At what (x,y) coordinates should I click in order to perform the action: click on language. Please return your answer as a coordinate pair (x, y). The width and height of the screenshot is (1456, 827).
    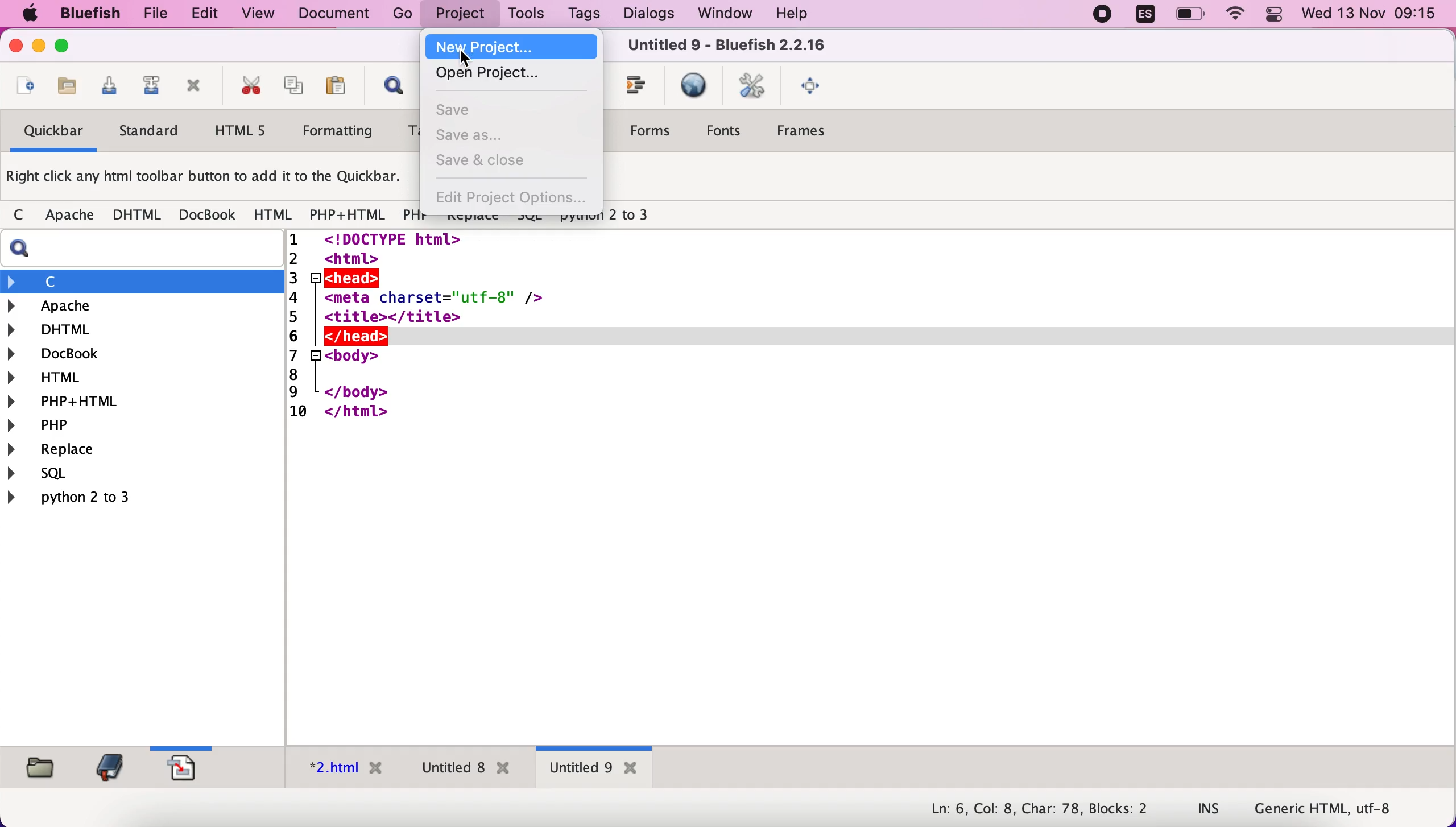
    Looking at the image, I should click on (1139, 16).